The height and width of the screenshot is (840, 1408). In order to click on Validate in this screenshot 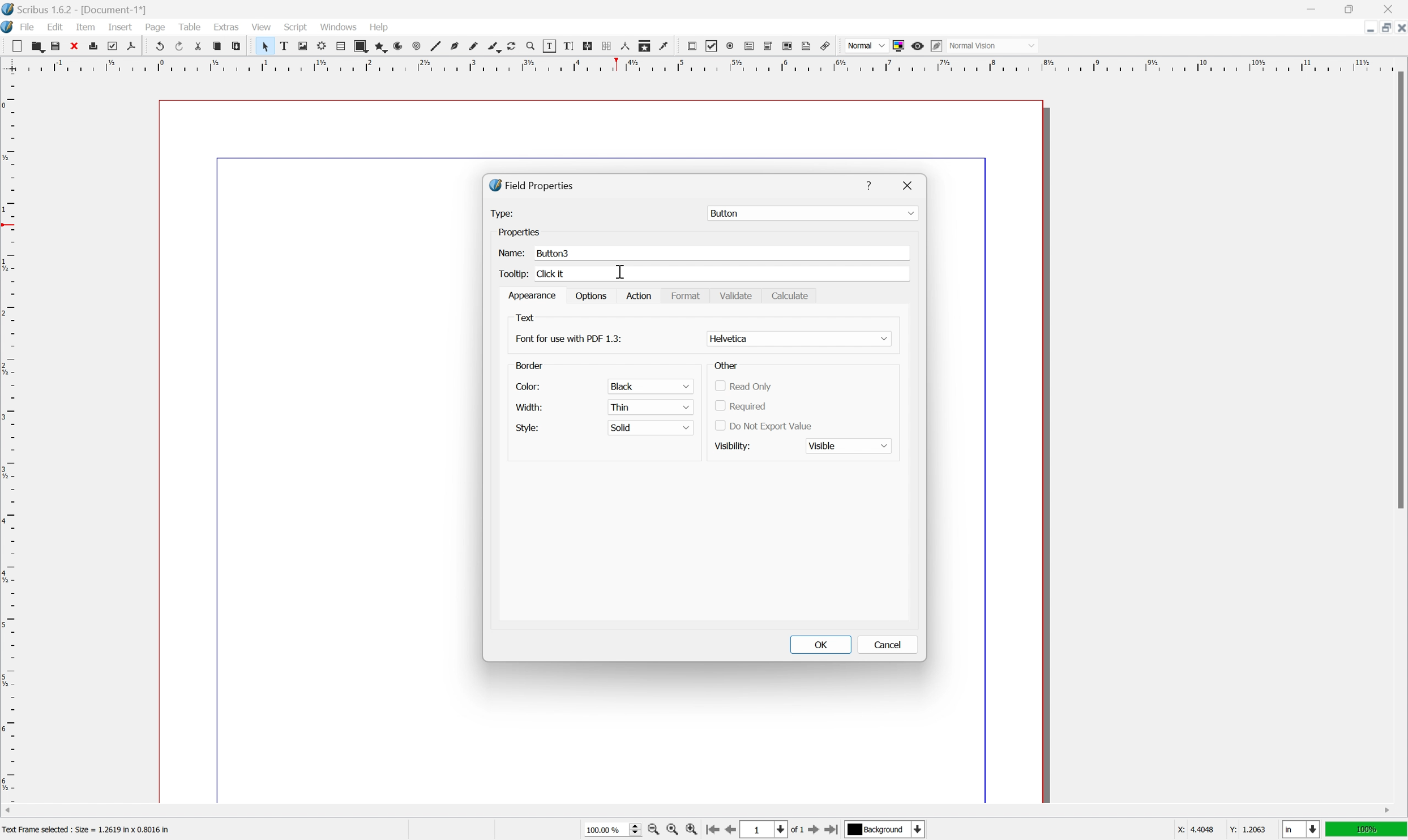, I will do `click(738, 294)`.